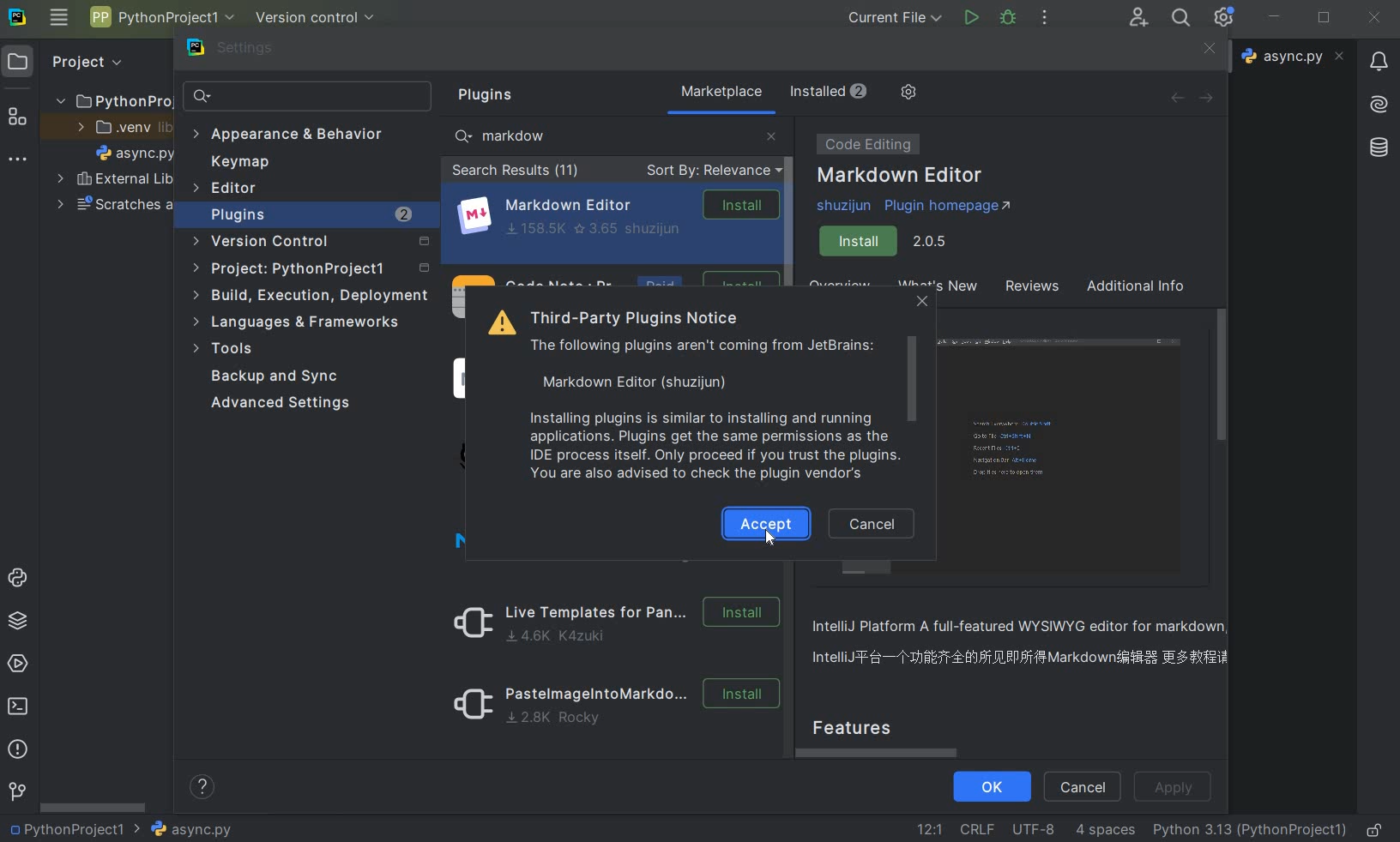 Image resolution: width=1400 pixels, height=842 pixels. Describe the element at coordinates (920, 207) in the screenshot. I see `plugin homepage` at that location.